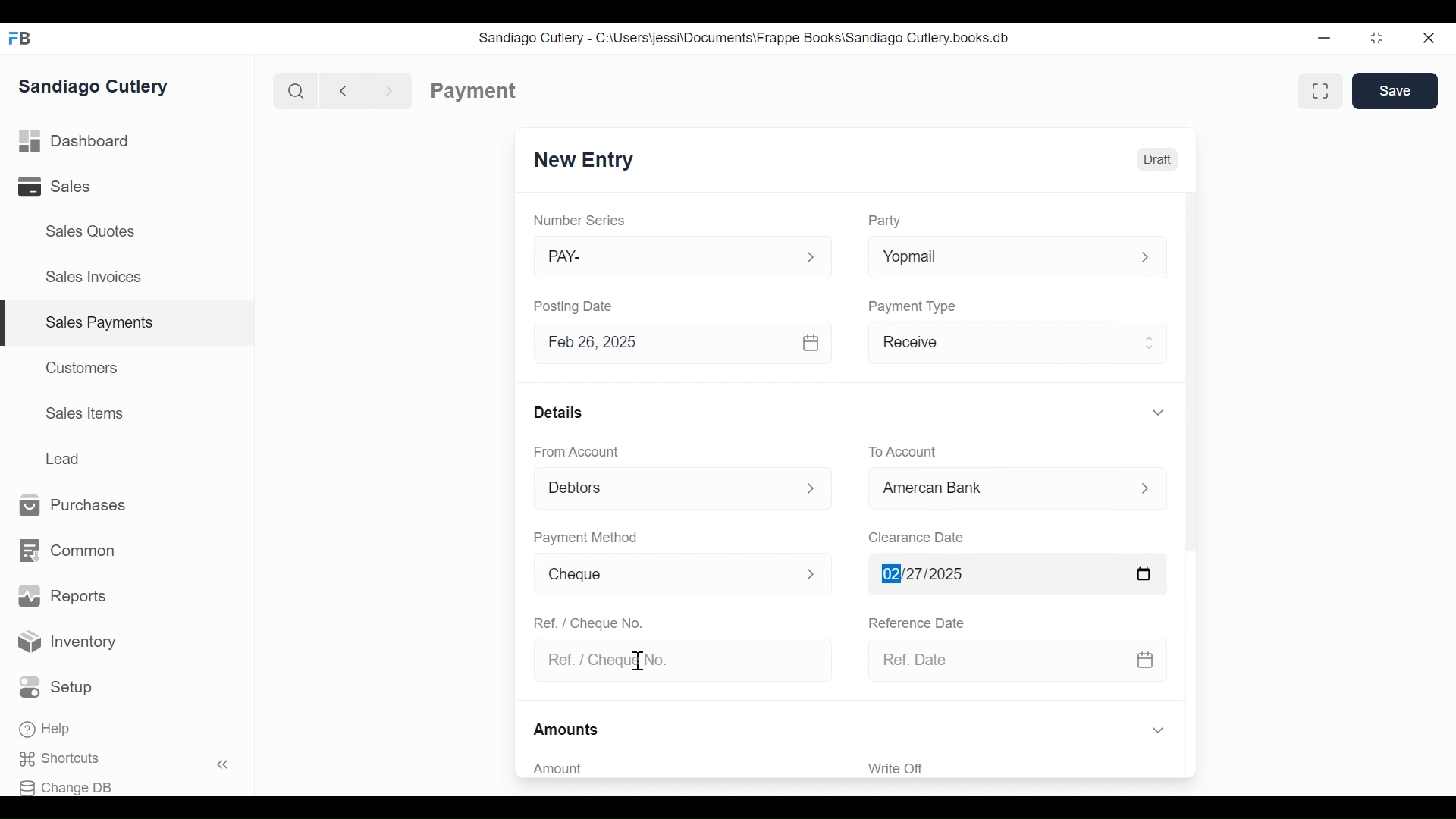 This screenshot has height=819, width=1456. Describe the element at coordinates (69, 759) in the screenshot. I see `Shortcuts` at that location.